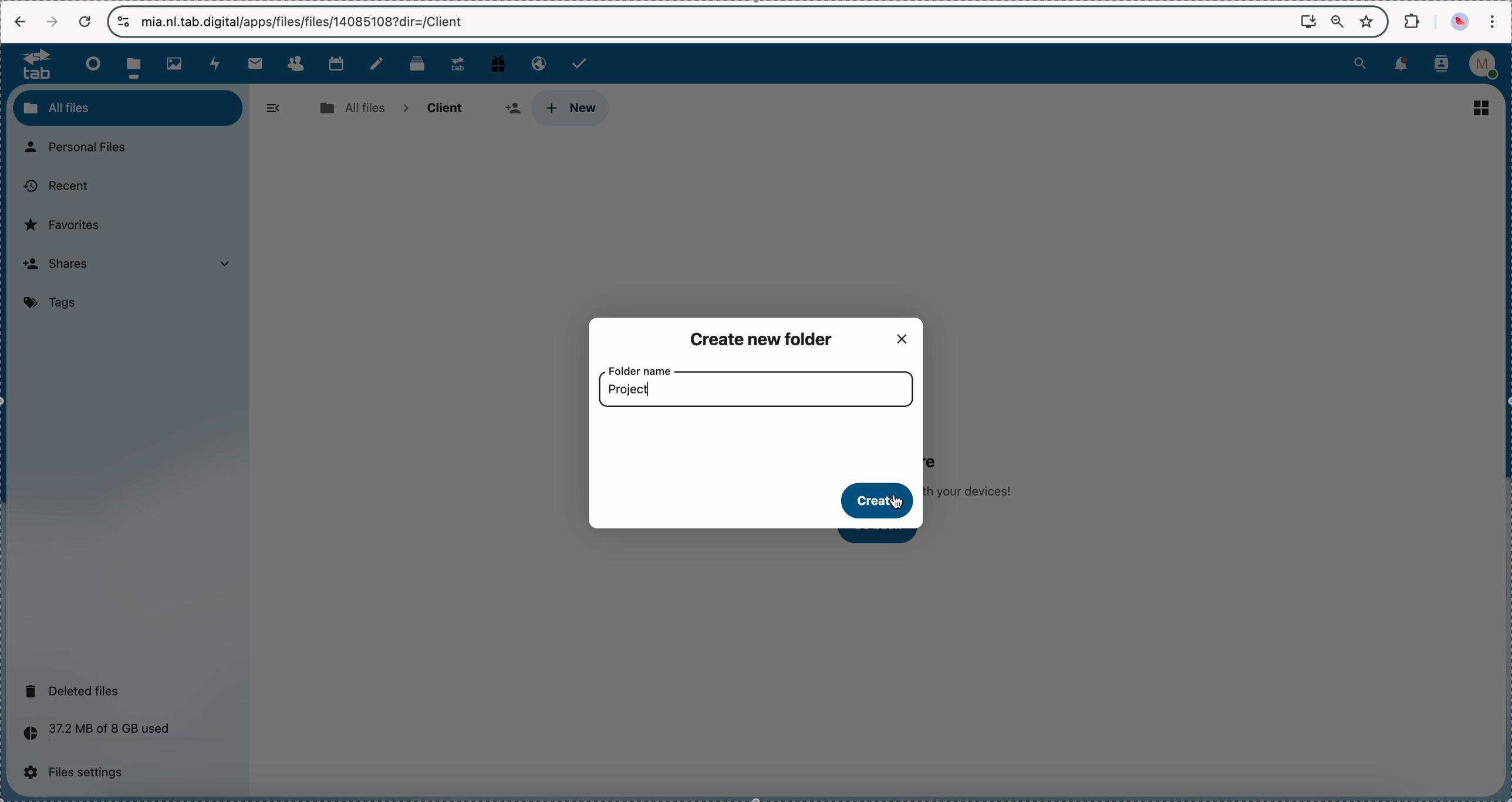  Describe the element at coordinates (295, 64) in the screenshot. I see `contacts` at that location.